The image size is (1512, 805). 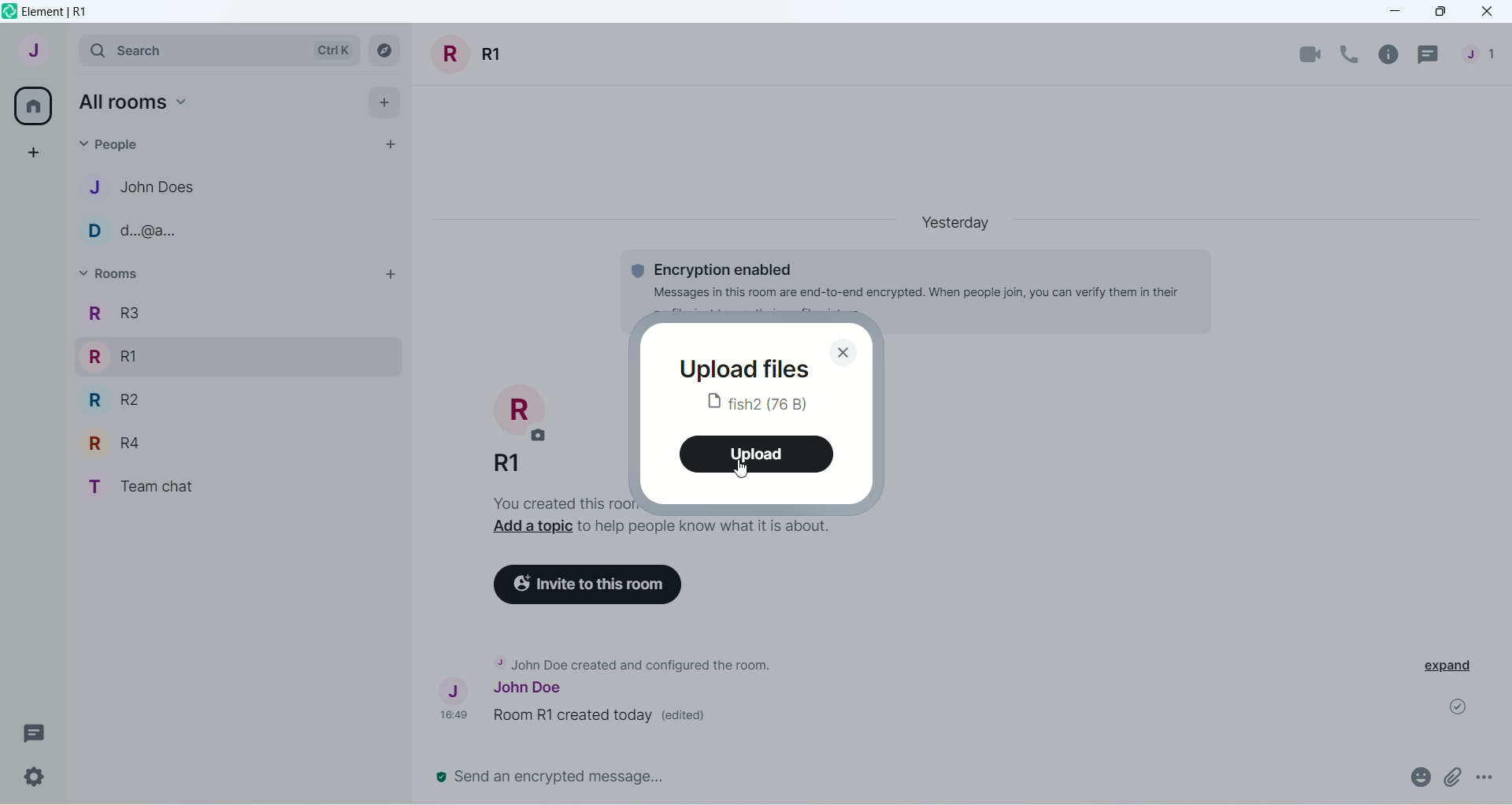 I want to click on send an encrypted message.., so click(x=551, y=776).